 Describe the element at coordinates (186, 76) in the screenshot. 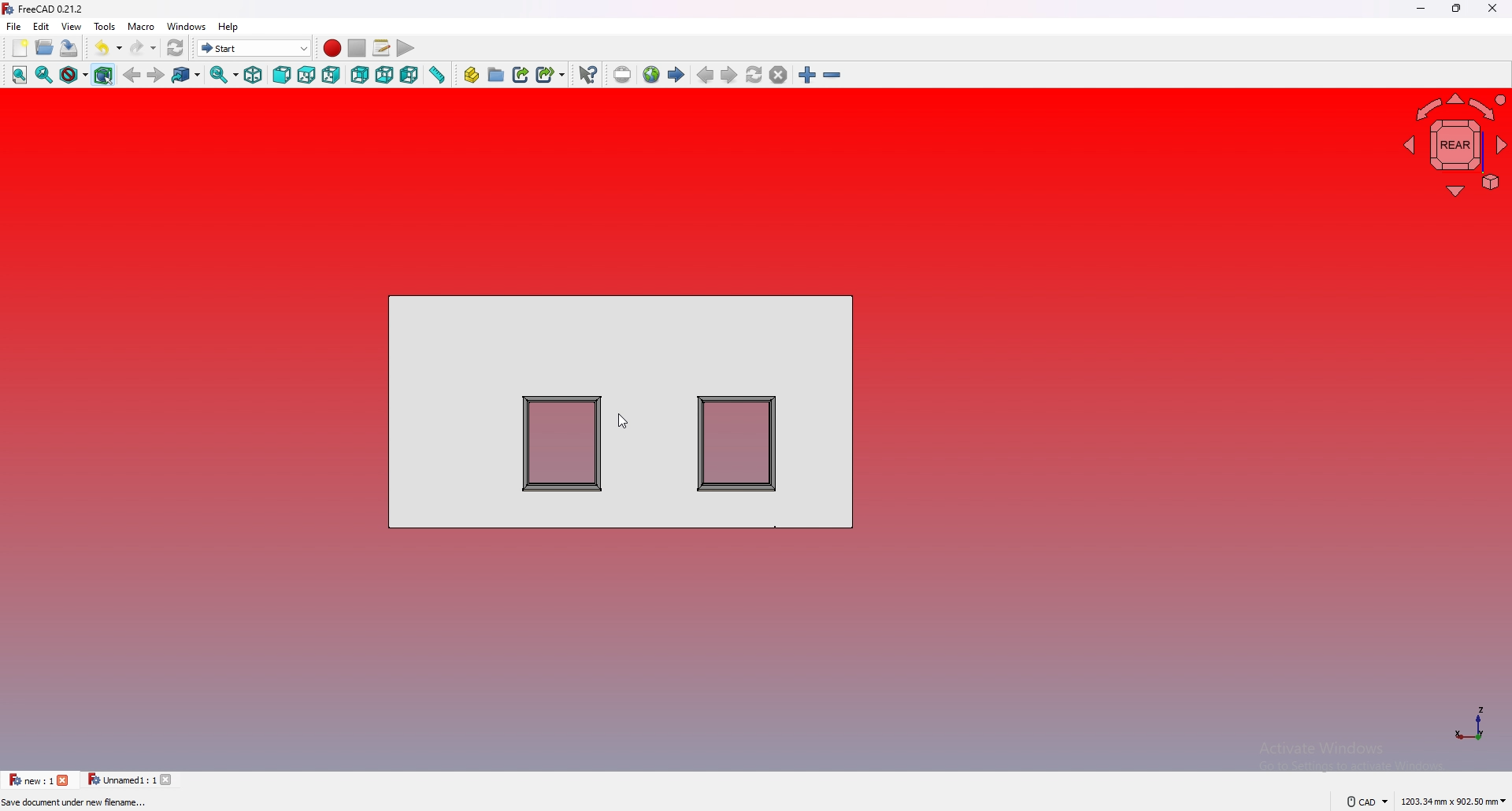

I see `go to linked object` at that location.